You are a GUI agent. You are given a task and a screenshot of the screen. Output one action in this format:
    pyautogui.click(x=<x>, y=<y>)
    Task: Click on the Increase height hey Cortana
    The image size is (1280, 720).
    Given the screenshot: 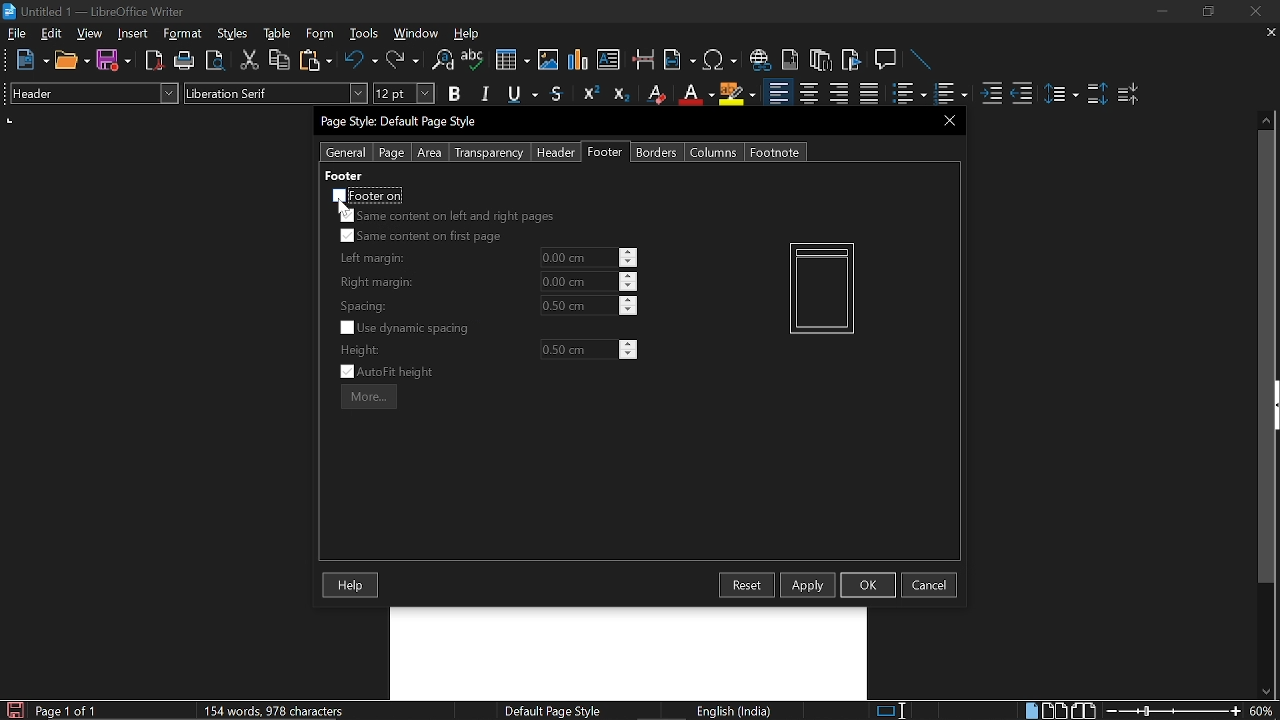 What is the action you would take?
    pyautogui.click(x=629, y=344)
    